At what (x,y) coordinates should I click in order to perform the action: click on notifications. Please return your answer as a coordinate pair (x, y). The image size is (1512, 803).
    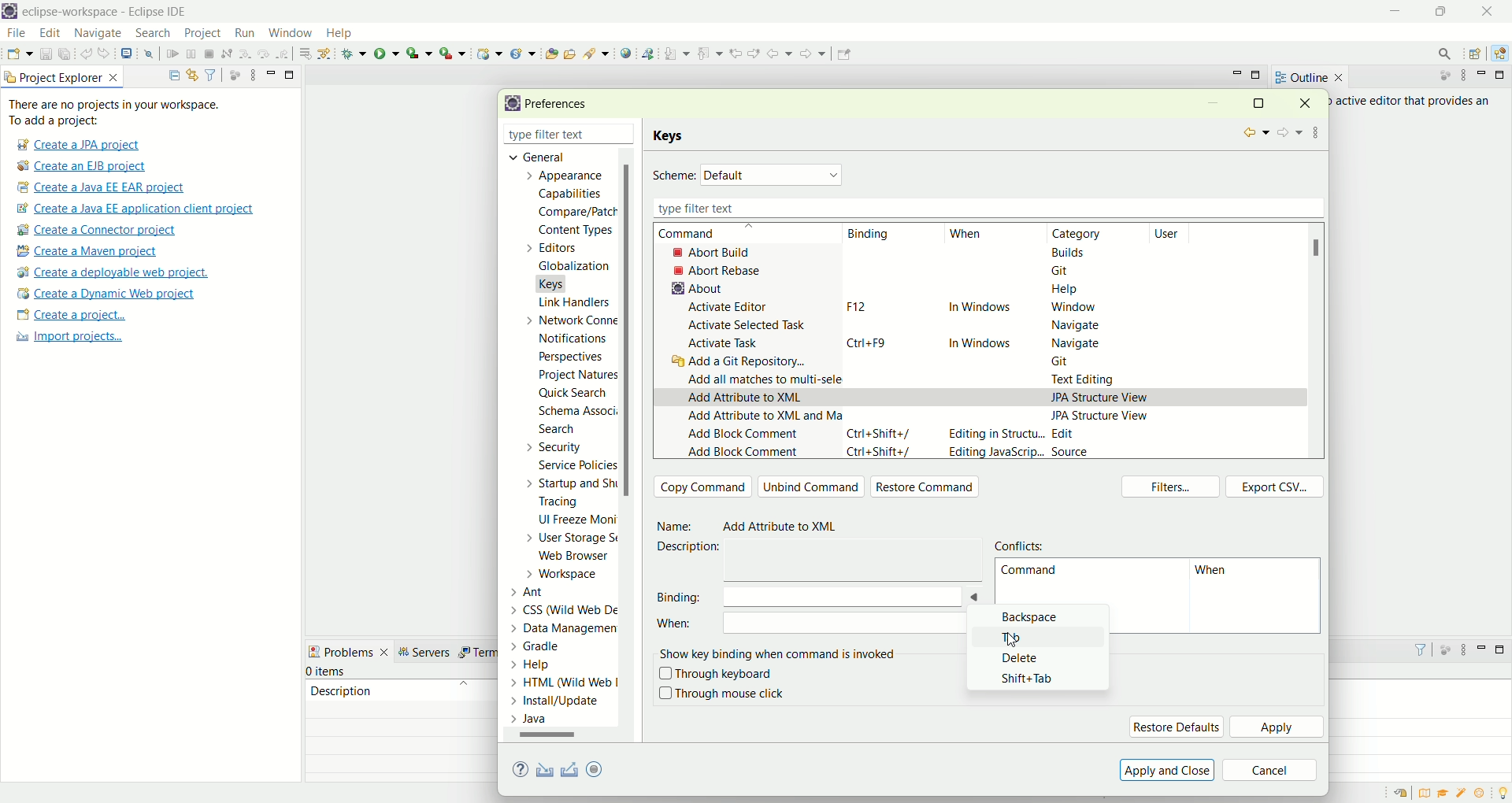
    Looking at the image, I should click on (578, 338).